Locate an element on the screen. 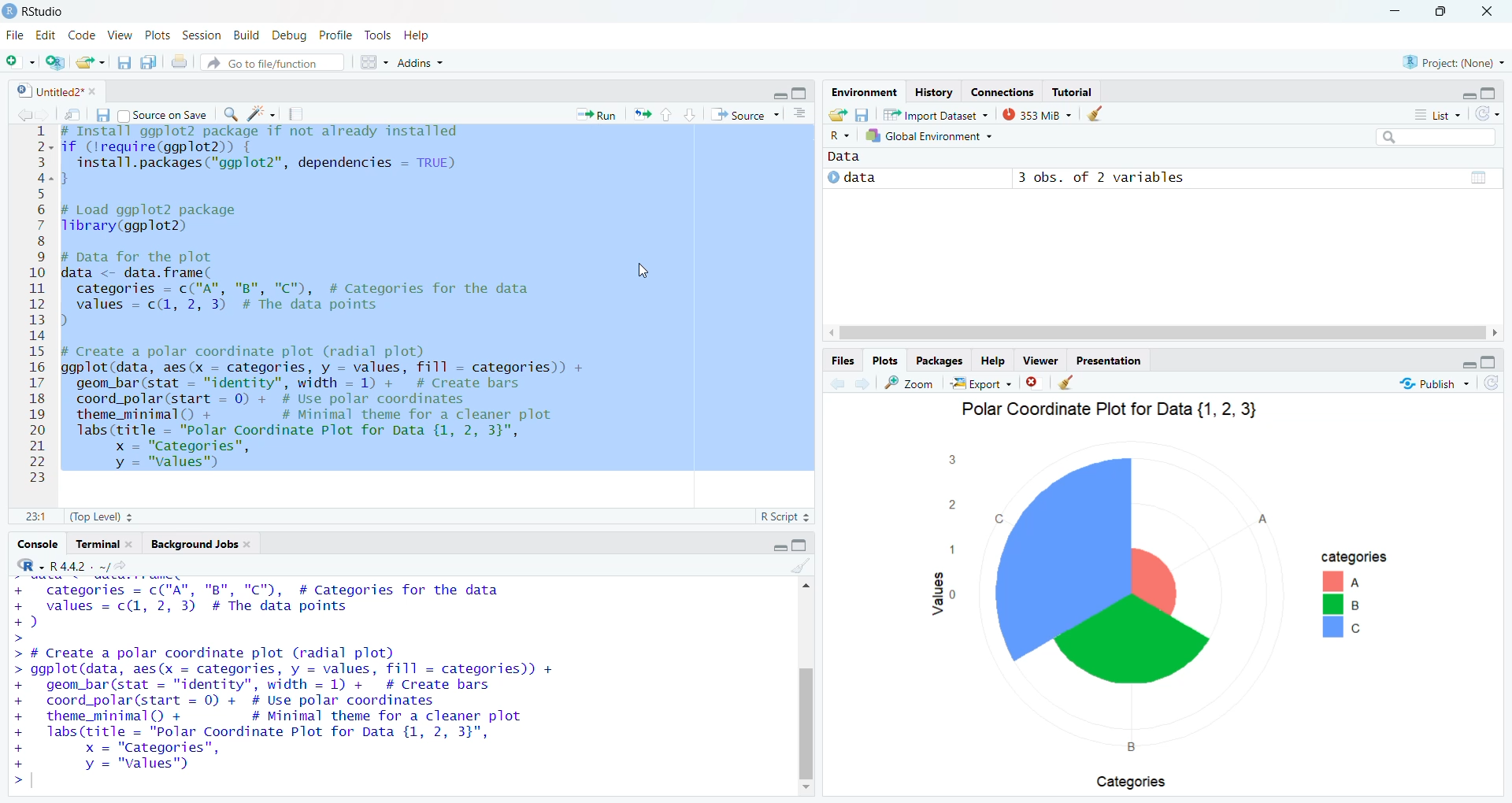   Project: (None) ~ is located at coordinates (1450, 64).